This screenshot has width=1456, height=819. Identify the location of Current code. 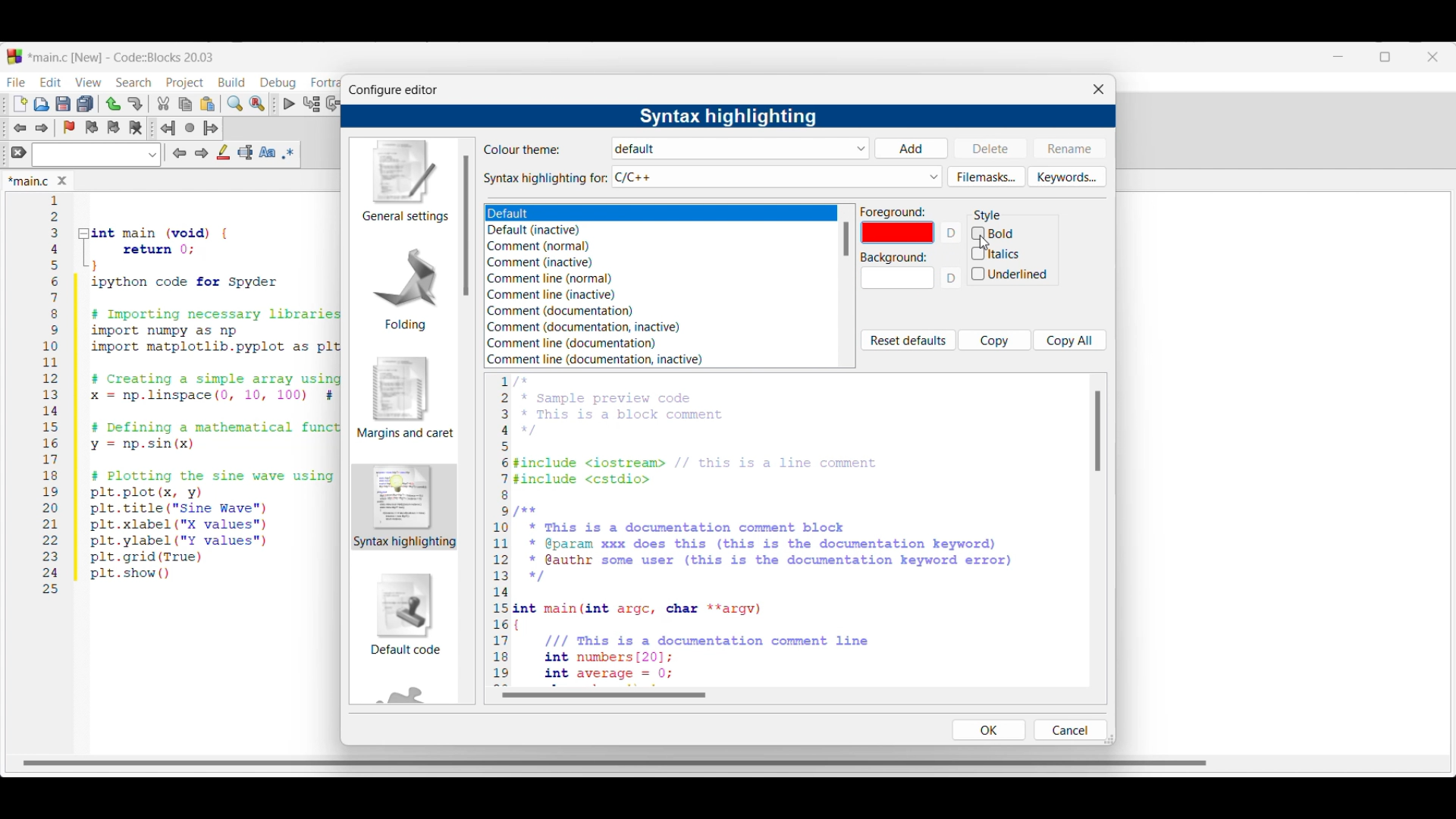
(193, 395).